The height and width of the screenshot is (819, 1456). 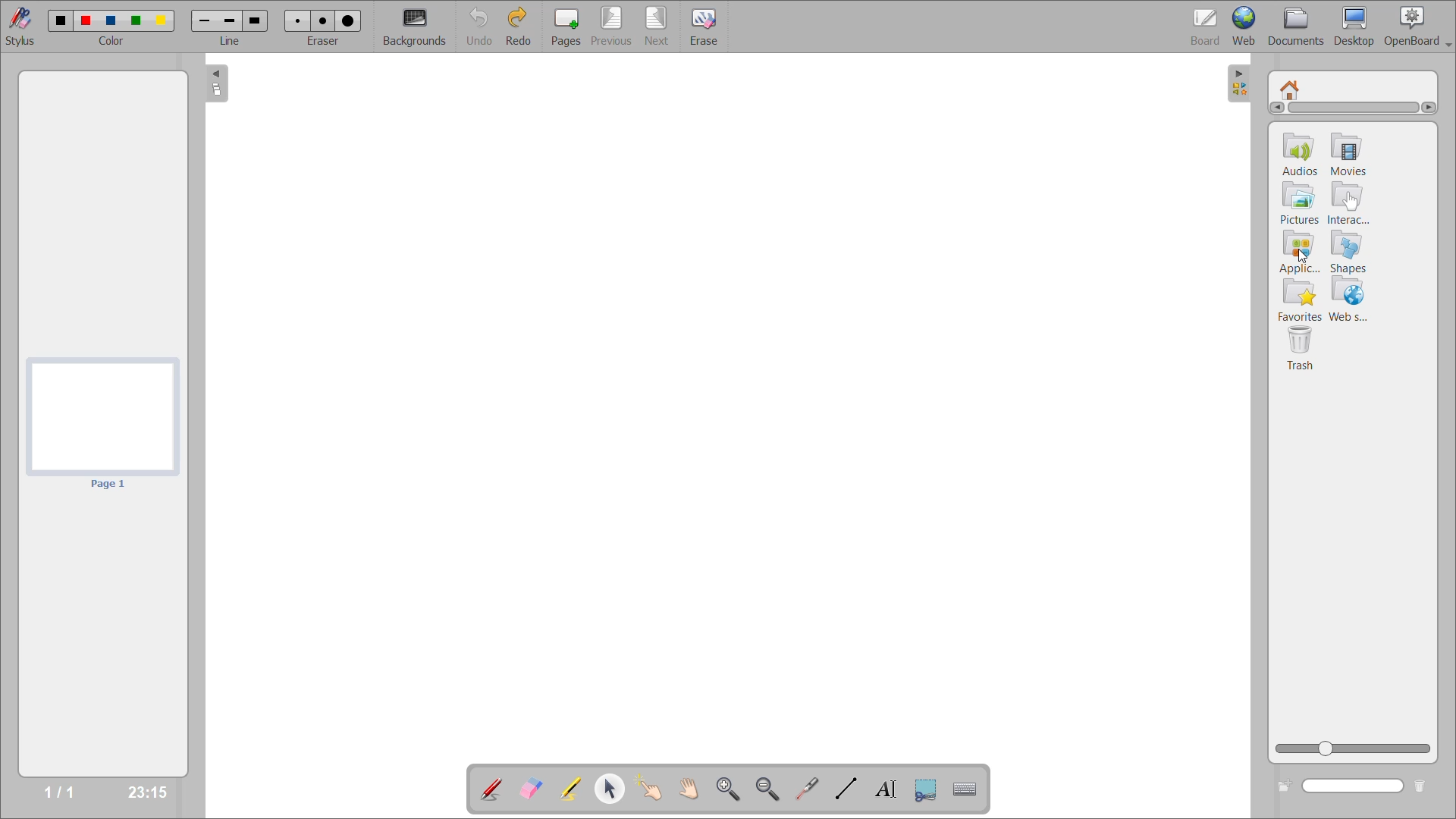 What do you see at coordinates (159, 20) in the screenshot?
I see `color 5` at bounding box center [159, 20].